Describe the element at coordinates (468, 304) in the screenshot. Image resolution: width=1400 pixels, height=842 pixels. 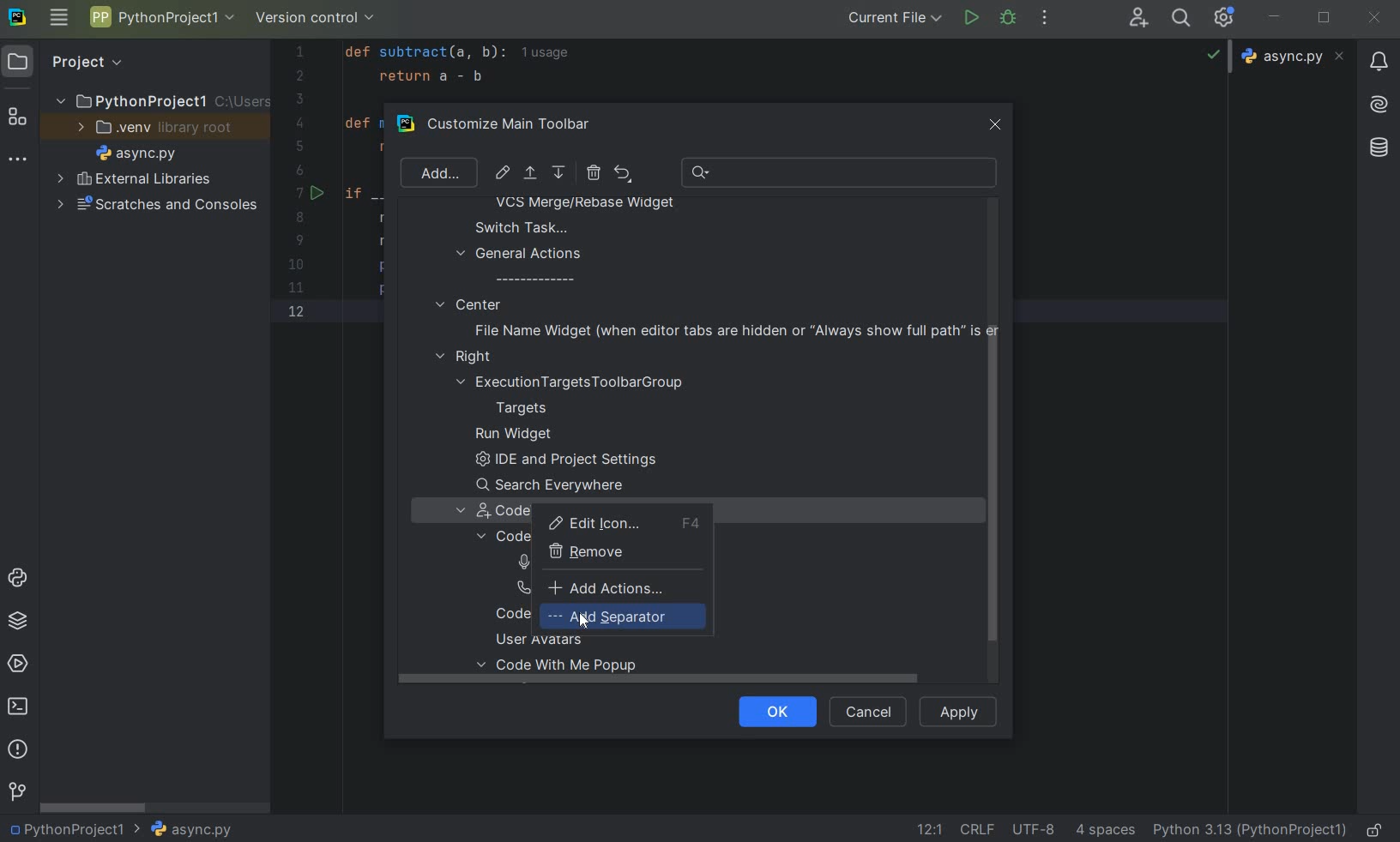
I see `center` at that location.